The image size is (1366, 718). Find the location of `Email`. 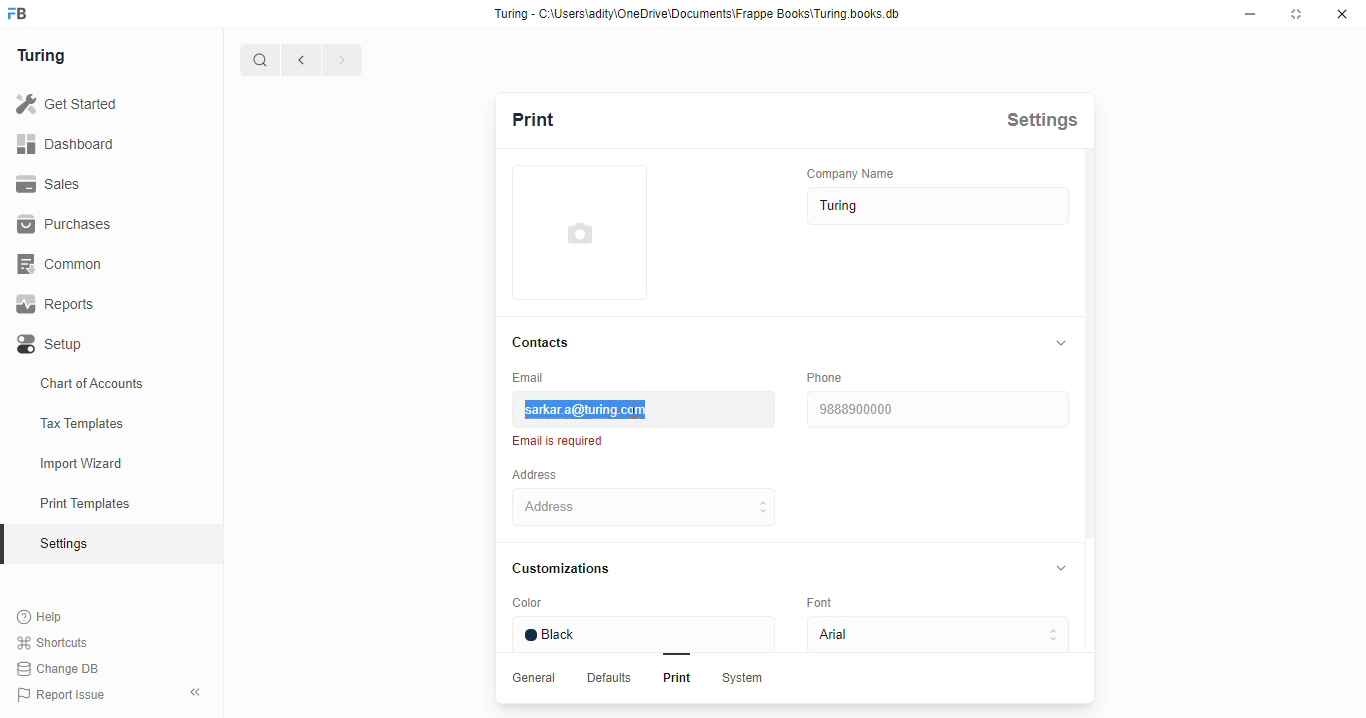

Email is located at coordinates (537, 377).